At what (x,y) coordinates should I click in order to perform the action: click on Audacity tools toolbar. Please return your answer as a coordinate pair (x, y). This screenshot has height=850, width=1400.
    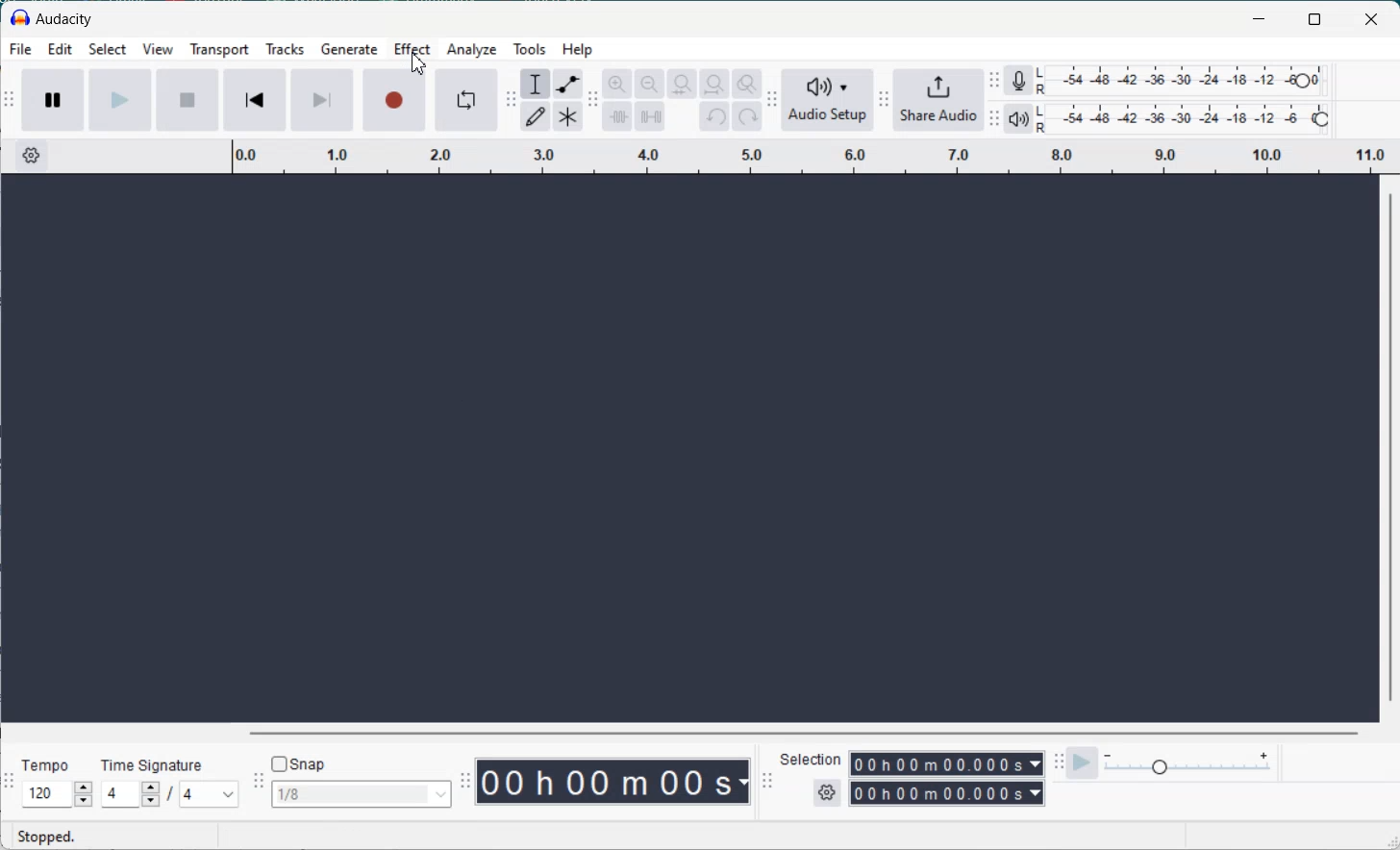
    Looking at the image, I should click on (512, 101).